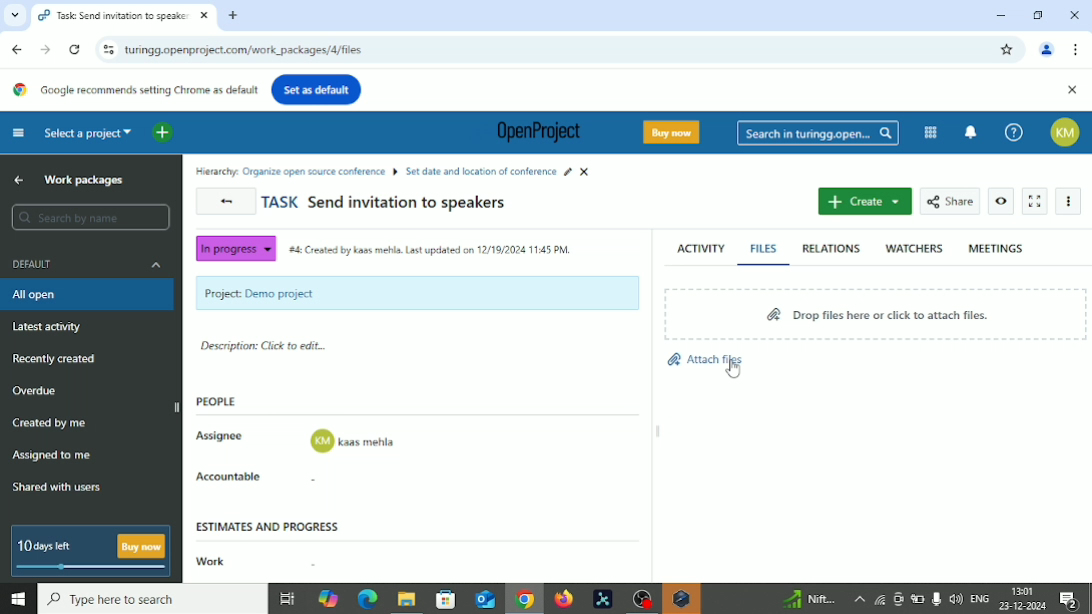 This screenshot has height=614, width=1092. Describe the element at coordinates (703, 355) in the screenshot. I see `Attach files` at that location.